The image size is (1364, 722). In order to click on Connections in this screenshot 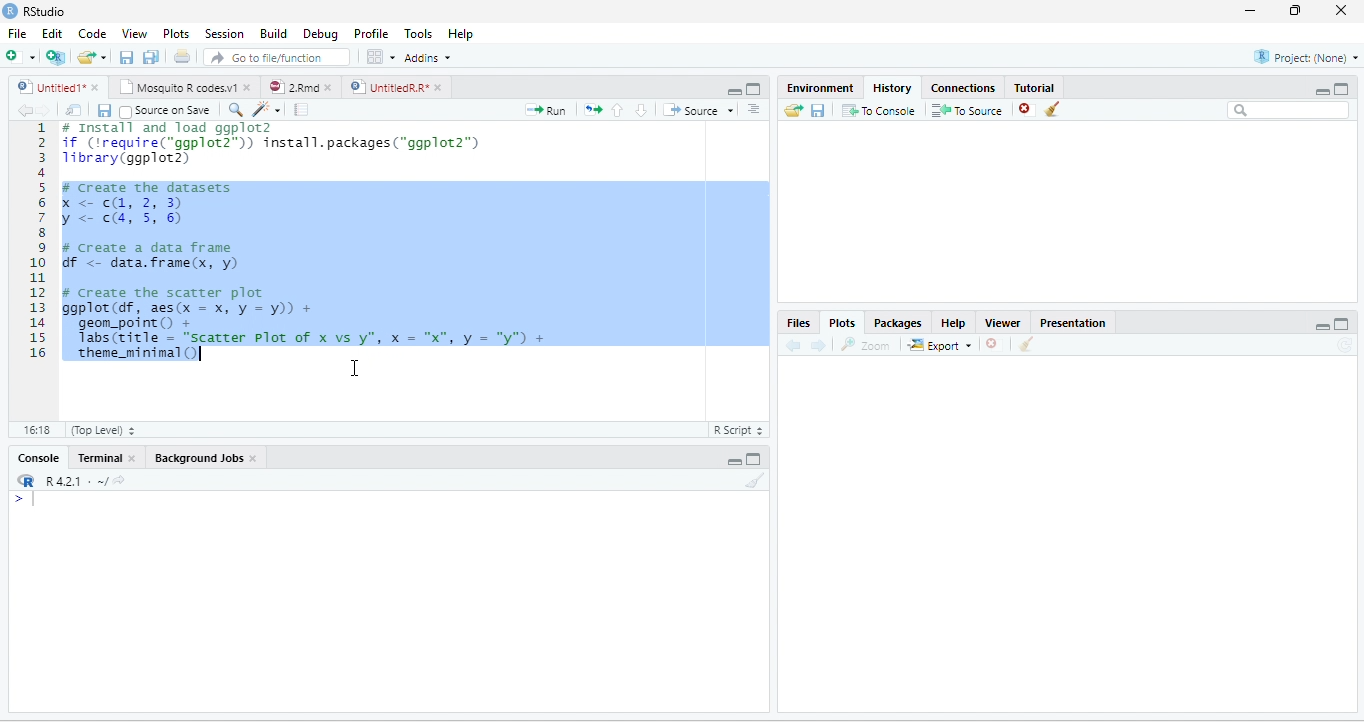, I will do `click(964, 87)`.